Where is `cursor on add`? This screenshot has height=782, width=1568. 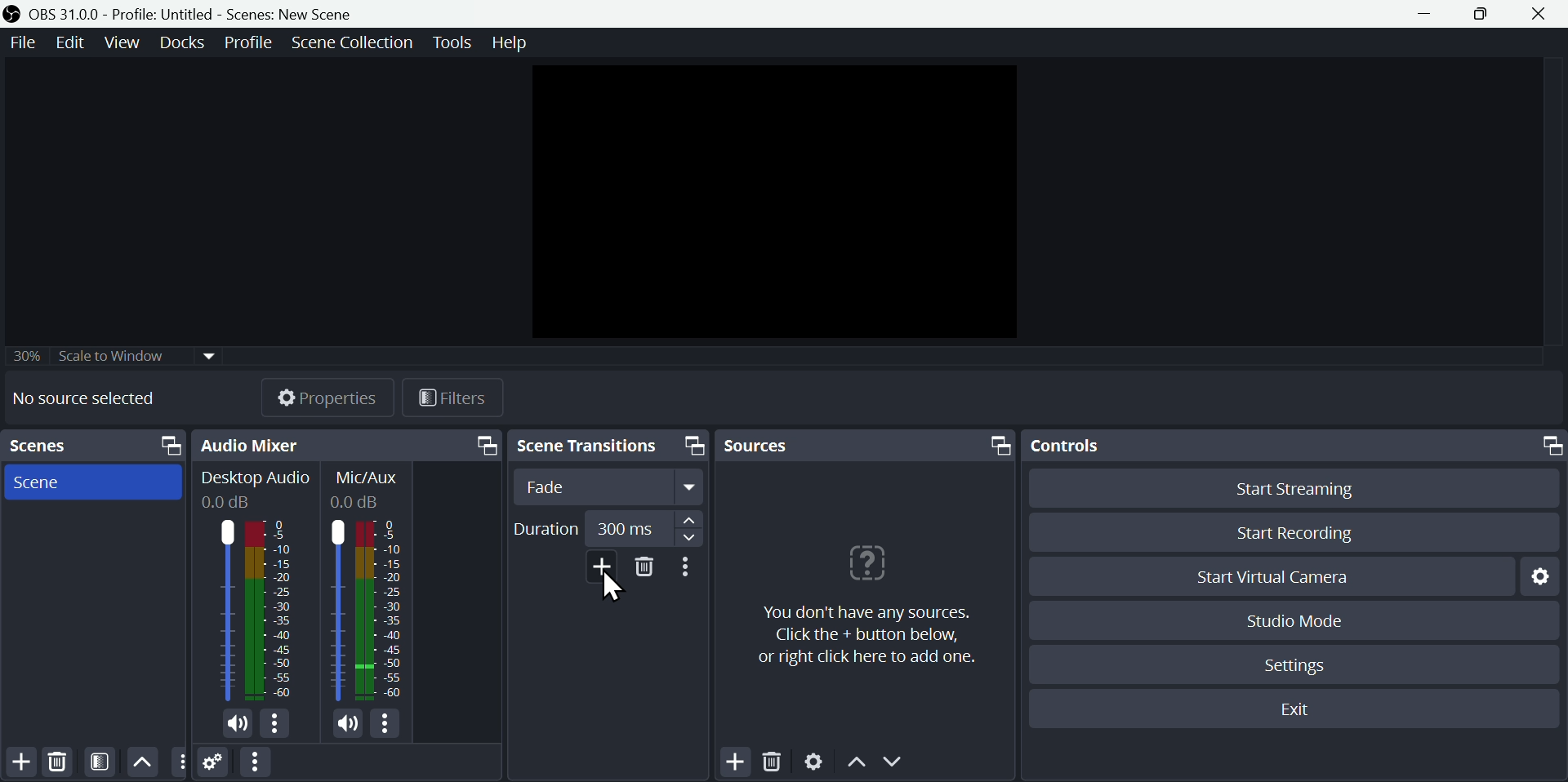
cursor on add is located at coordinates (614, 588).